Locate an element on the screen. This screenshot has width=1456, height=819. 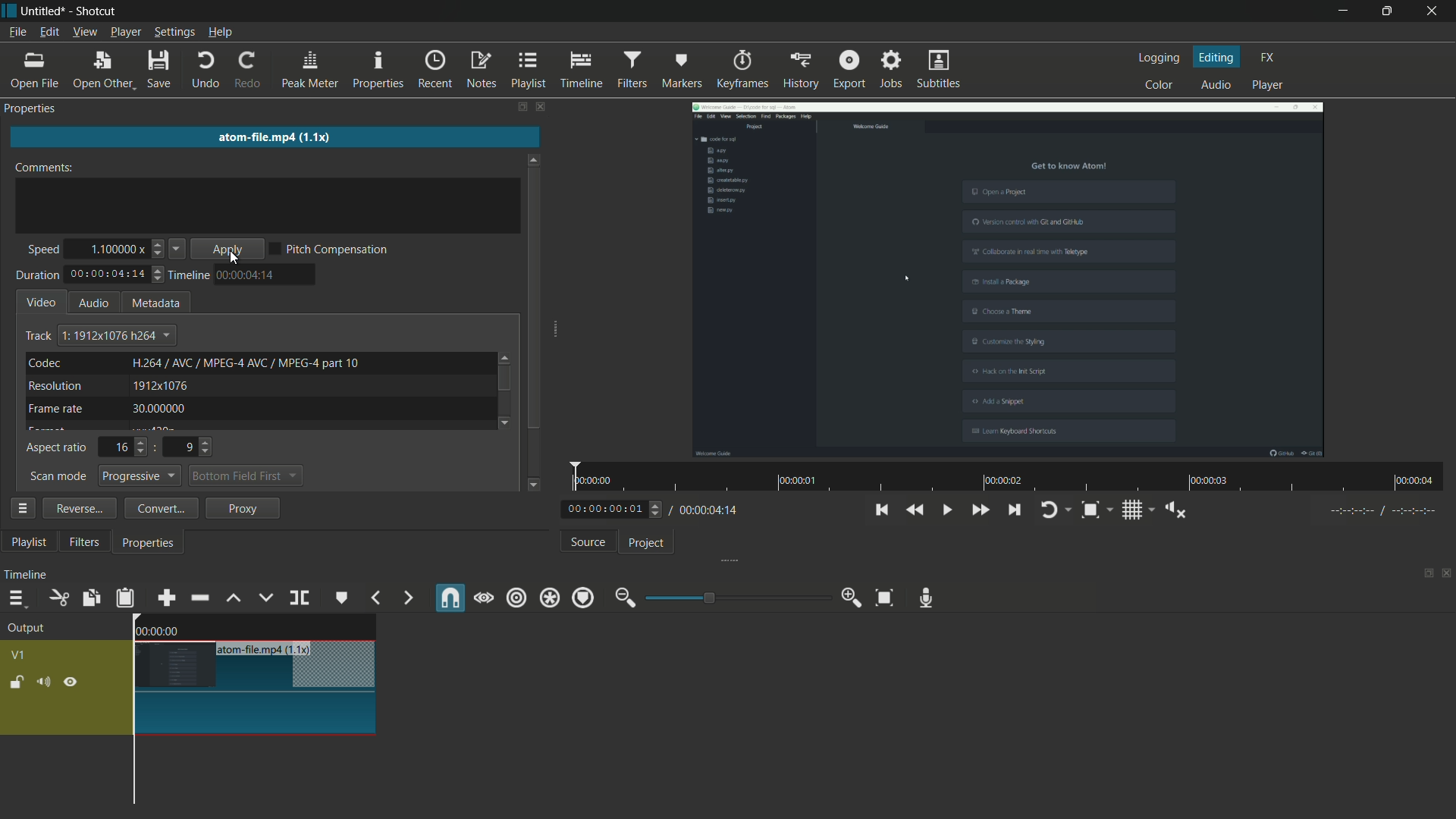
in point is located at coordinates (1384, 511).